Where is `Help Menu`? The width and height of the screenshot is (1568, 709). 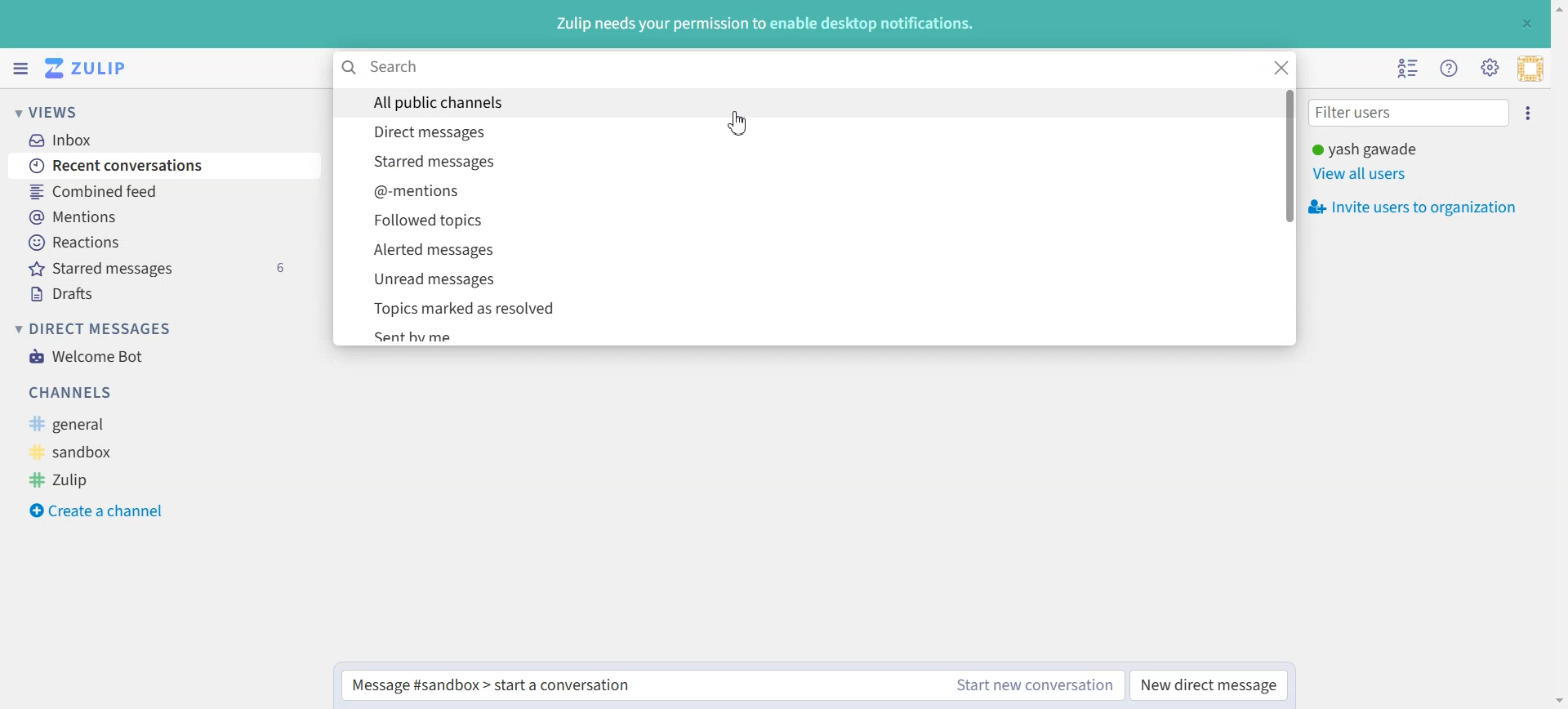 Help Menu is located at coordinates (1450, 69).